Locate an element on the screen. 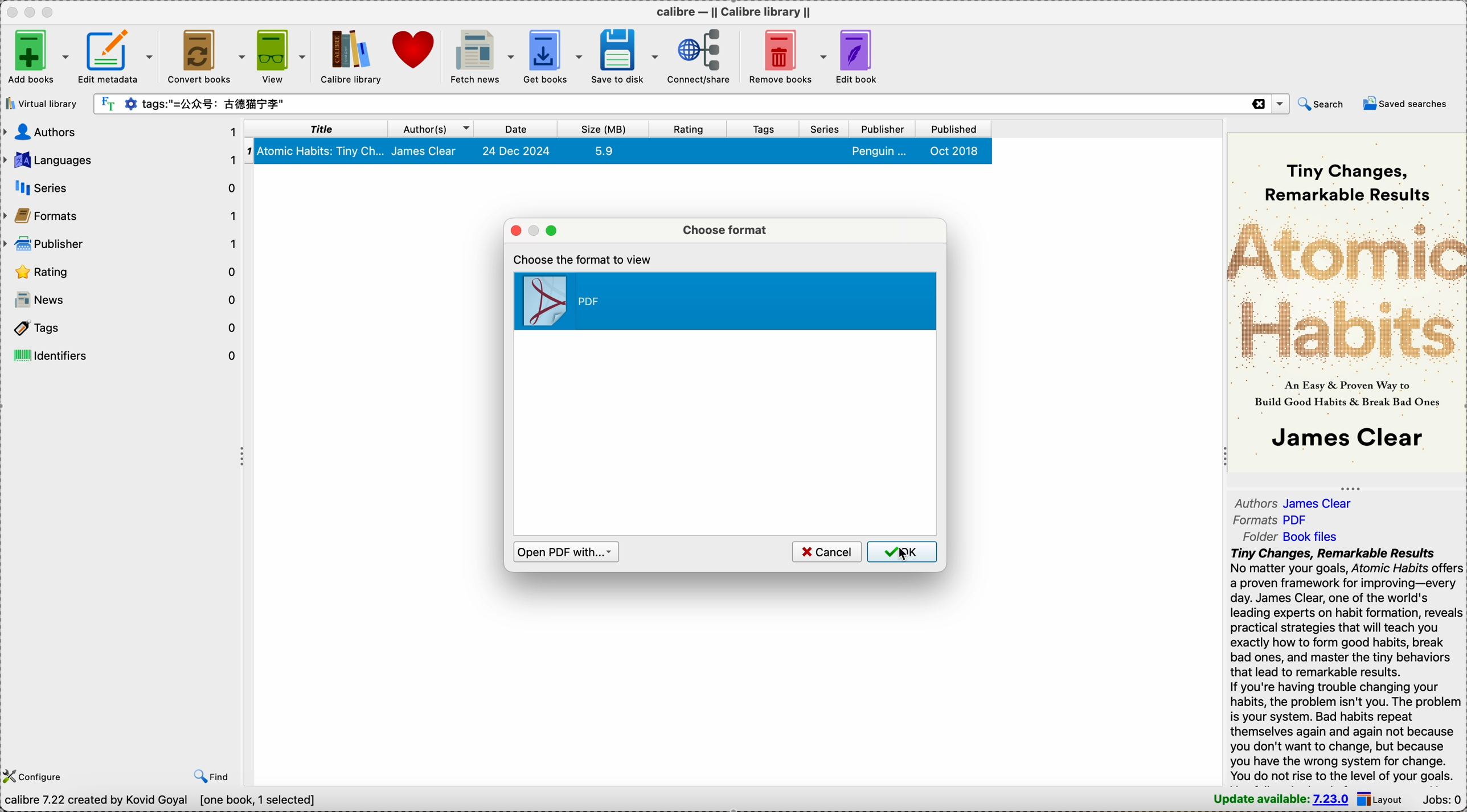 Image resolution: width=1467 pixels, height=812 pixels. publisher is located at coordinates (885, 129).